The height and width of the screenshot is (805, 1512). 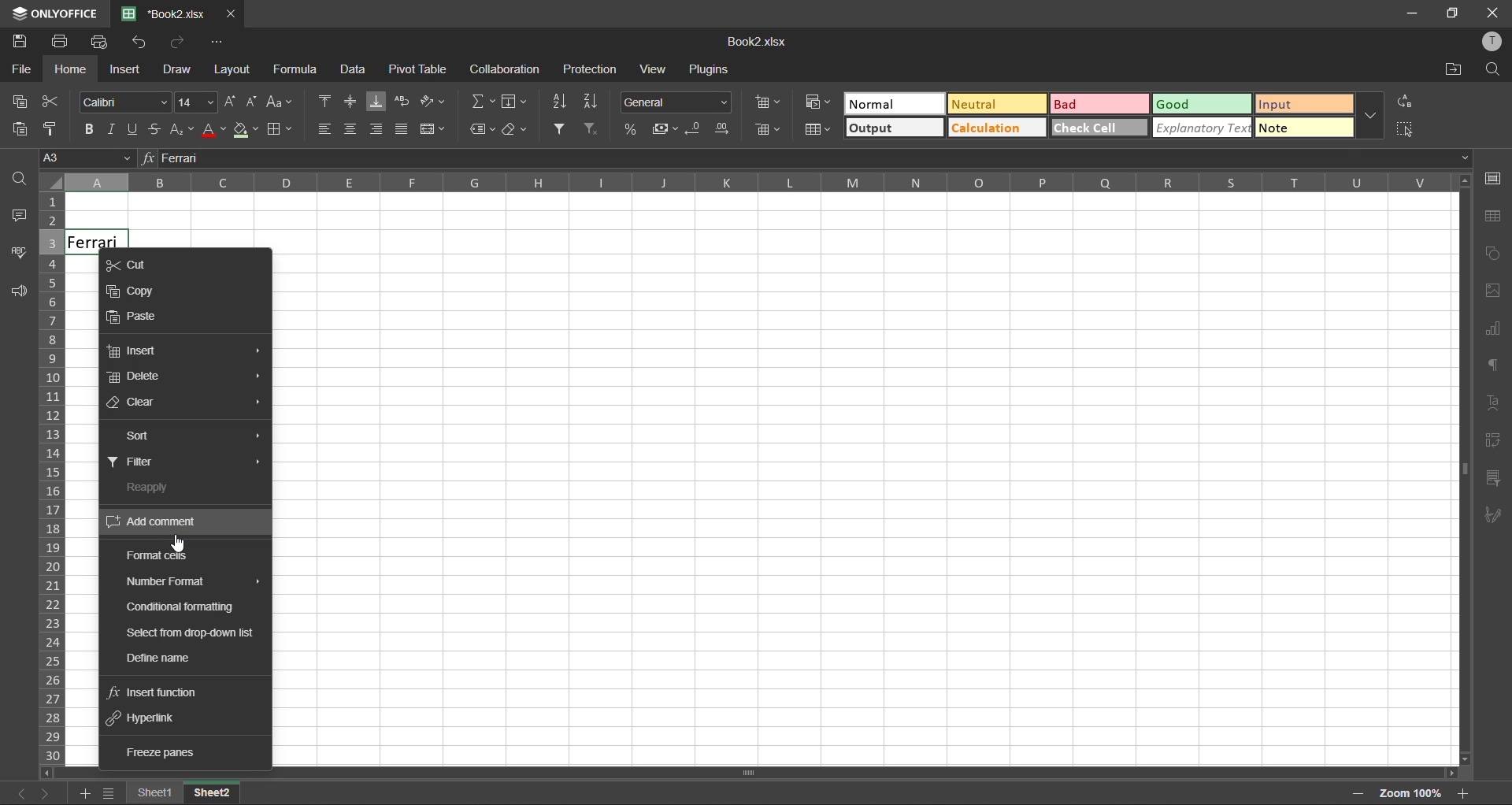 I want to click on pivot table, so click(x=416, y=69).